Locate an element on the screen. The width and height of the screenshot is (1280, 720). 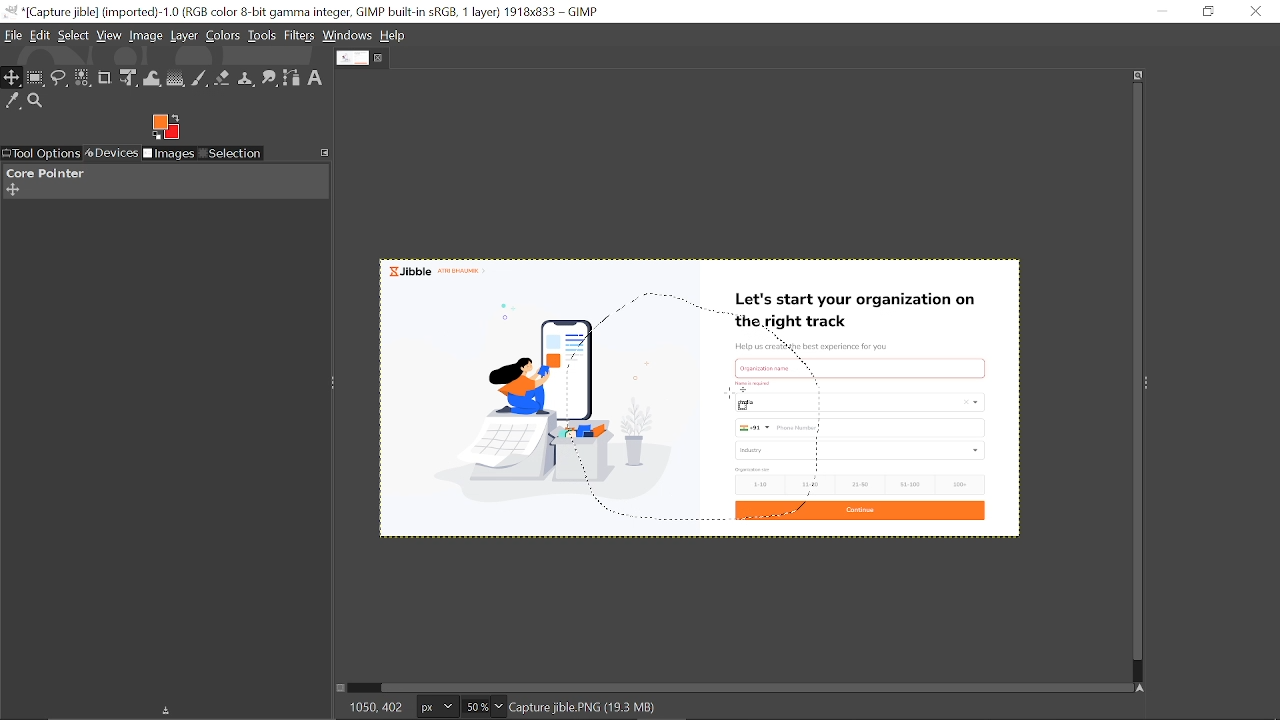
images is located at coordinates (169, 155).